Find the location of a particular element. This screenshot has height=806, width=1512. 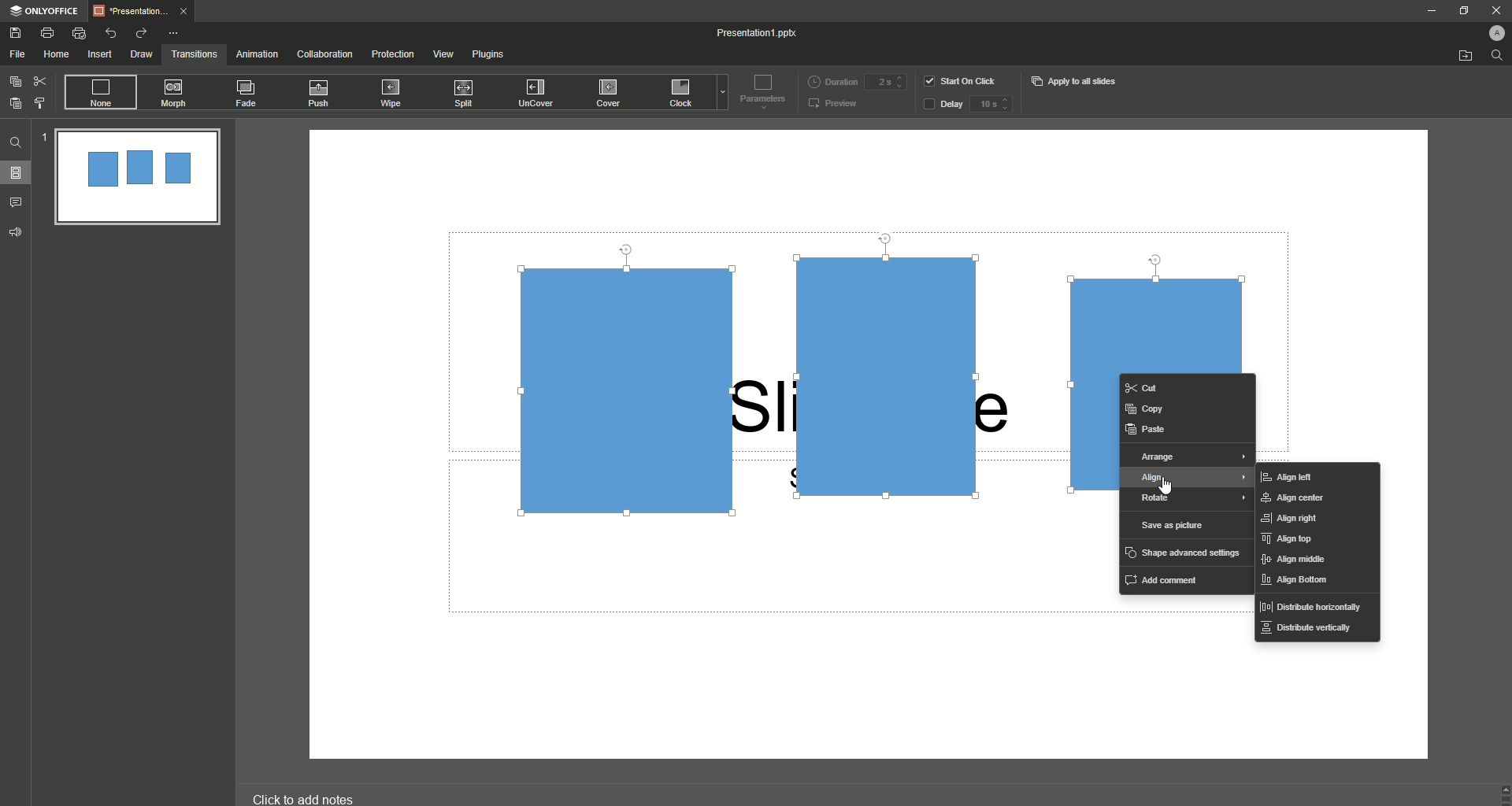

Arrange is located at coordinates (1189, 457).